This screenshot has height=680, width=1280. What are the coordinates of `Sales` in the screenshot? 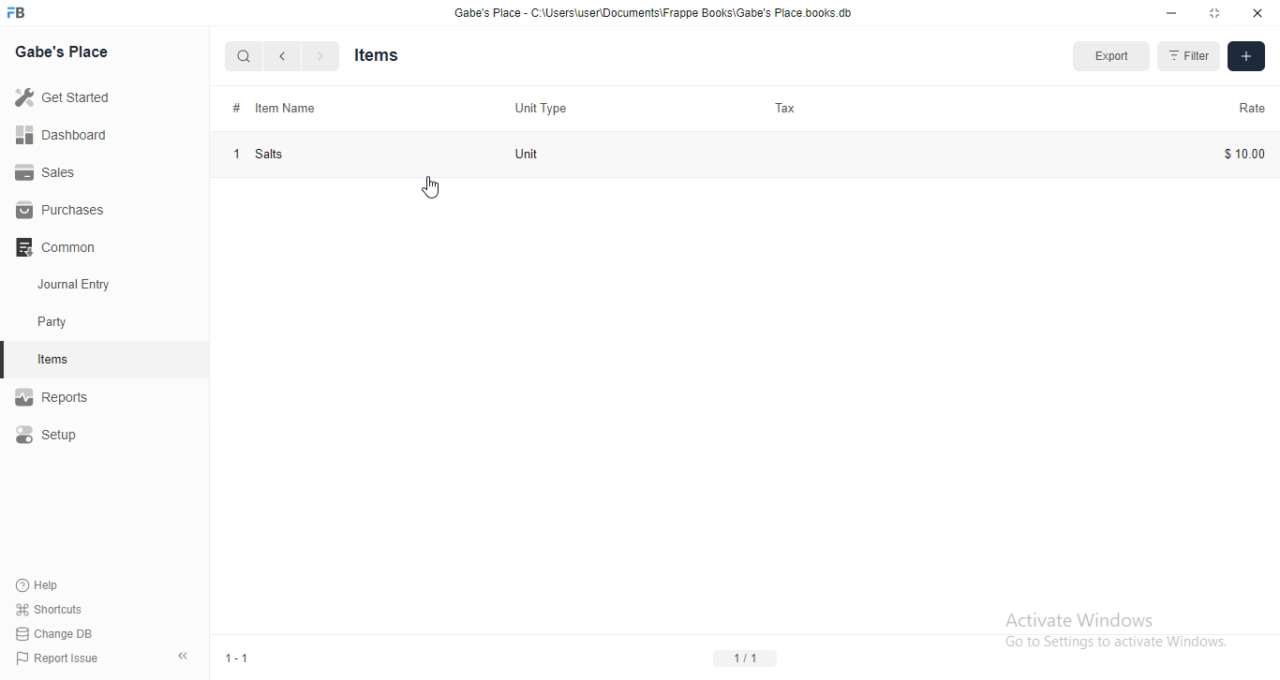 It's located at (52, 171).